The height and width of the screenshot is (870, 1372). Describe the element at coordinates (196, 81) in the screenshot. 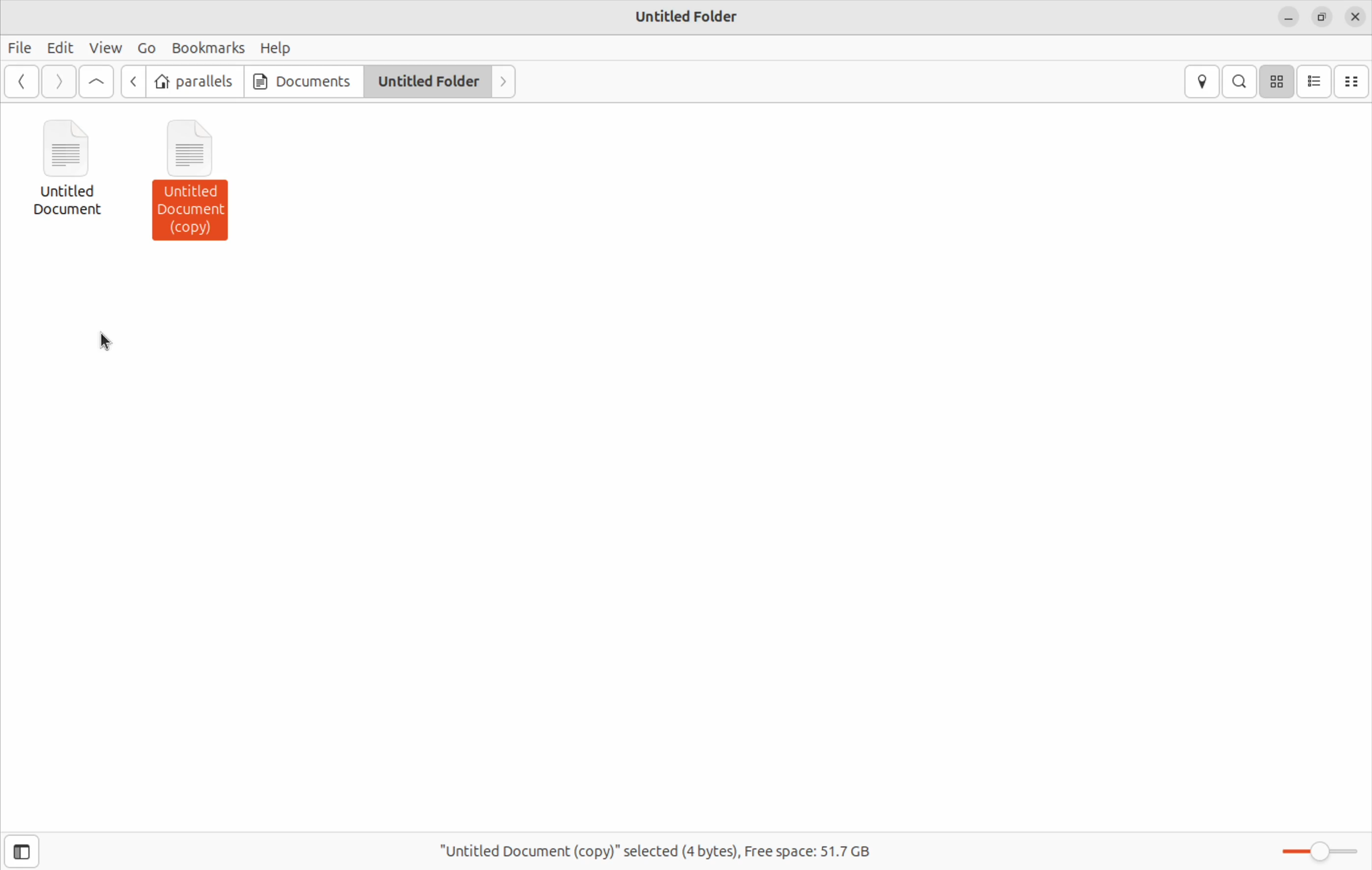

I see `parallels` at that location.